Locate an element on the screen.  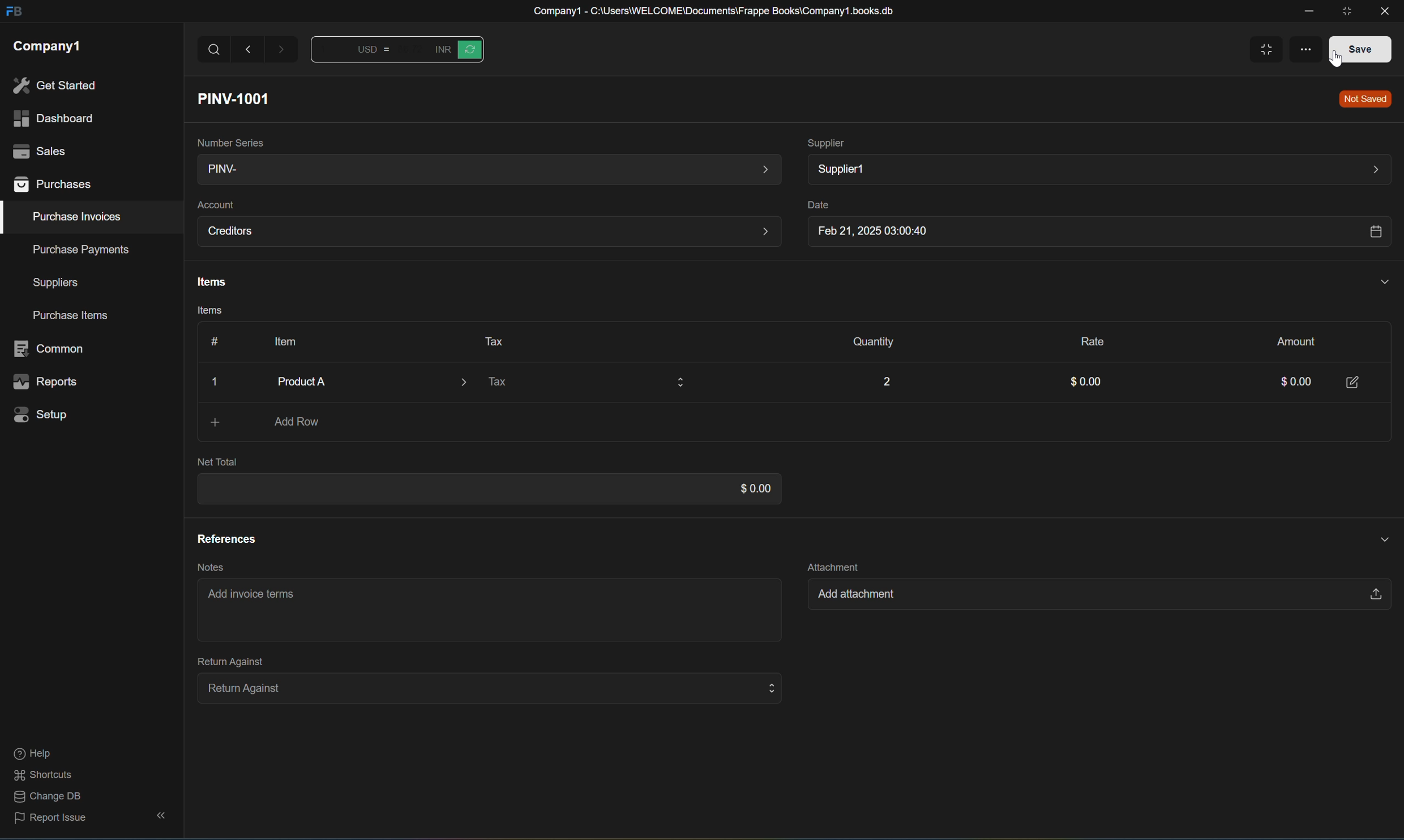
setup is located at coordinates (44, 414).